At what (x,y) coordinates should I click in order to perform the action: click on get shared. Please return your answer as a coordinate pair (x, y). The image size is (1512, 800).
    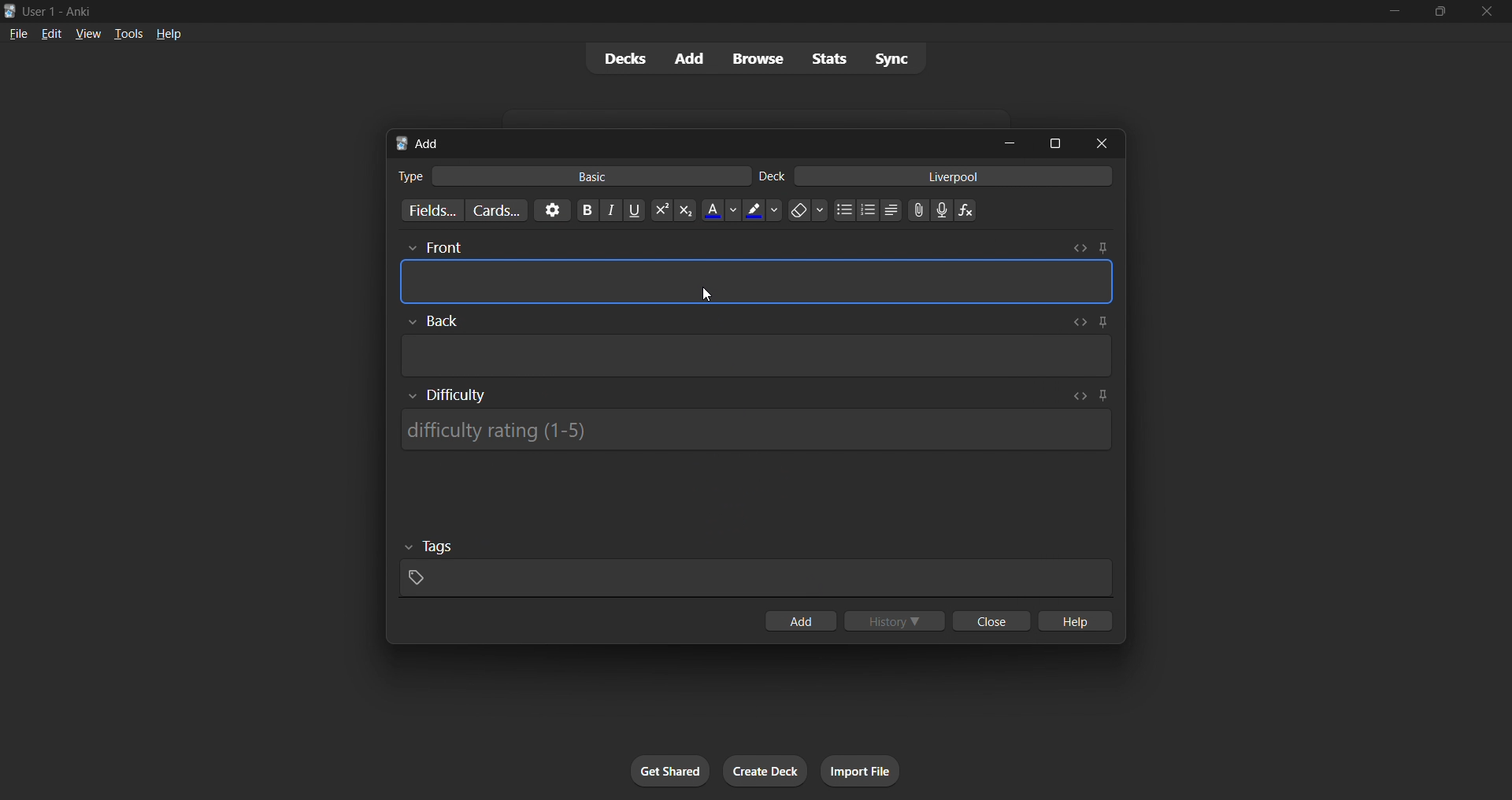
    Looking at the image, I should click on (670, 771).